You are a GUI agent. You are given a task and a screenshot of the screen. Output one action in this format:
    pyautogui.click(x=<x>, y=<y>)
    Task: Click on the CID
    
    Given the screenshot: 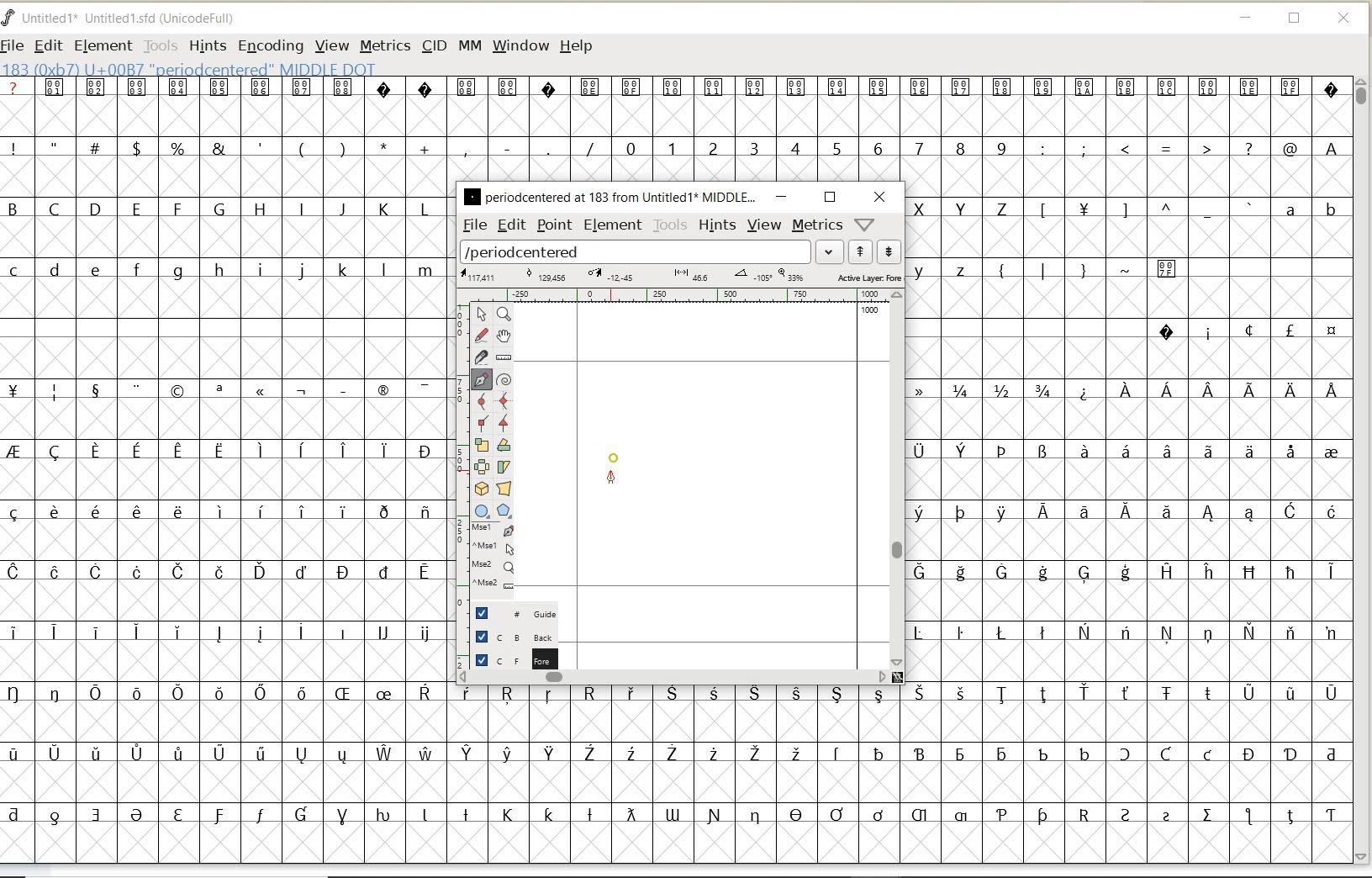 What is the action you would take?
    pyautogui.click(x=434, y=48)
    